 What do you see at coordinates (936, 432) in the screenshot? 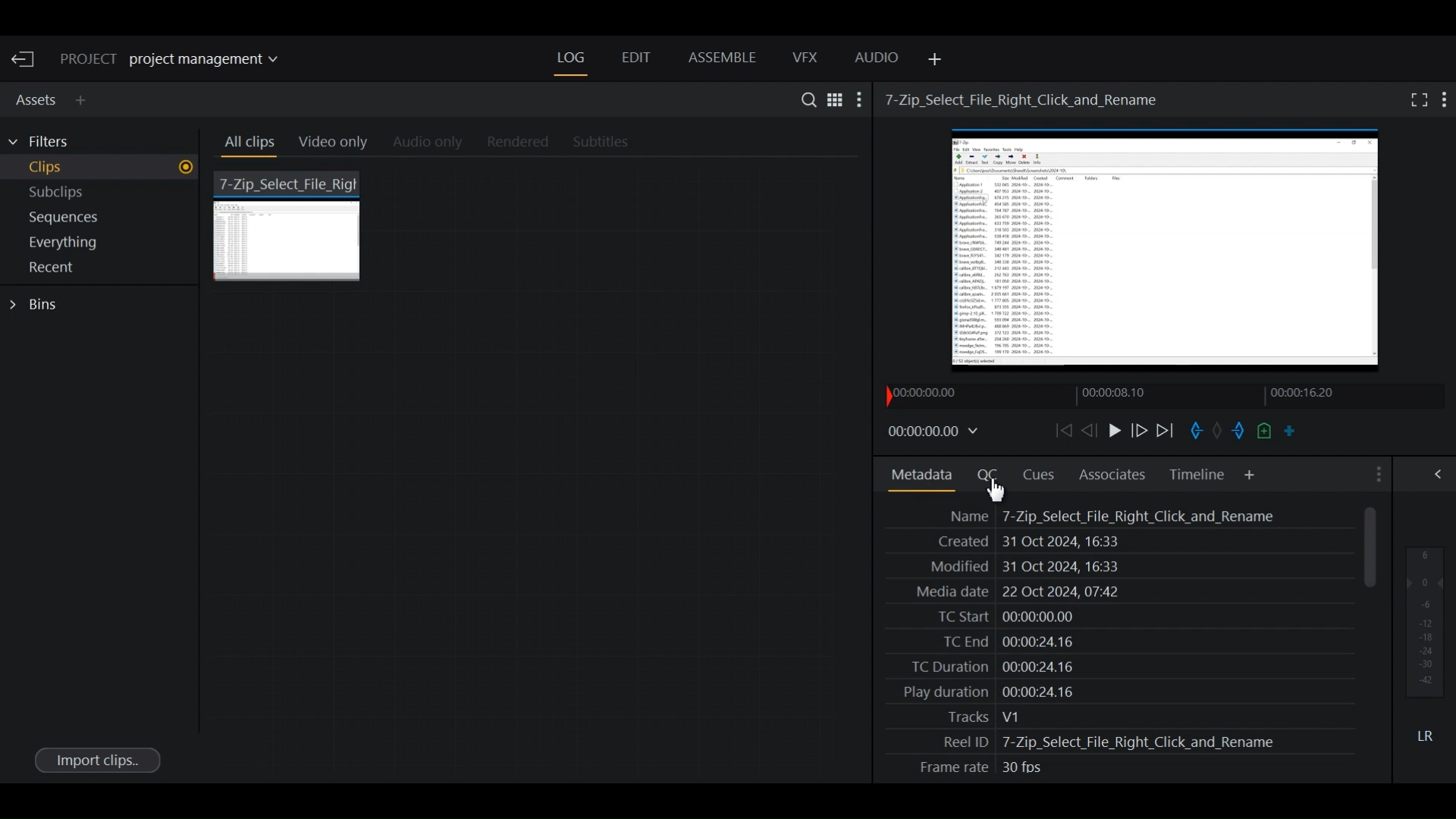
I see `Timecodes and reels` at bounding box center [936, 432].